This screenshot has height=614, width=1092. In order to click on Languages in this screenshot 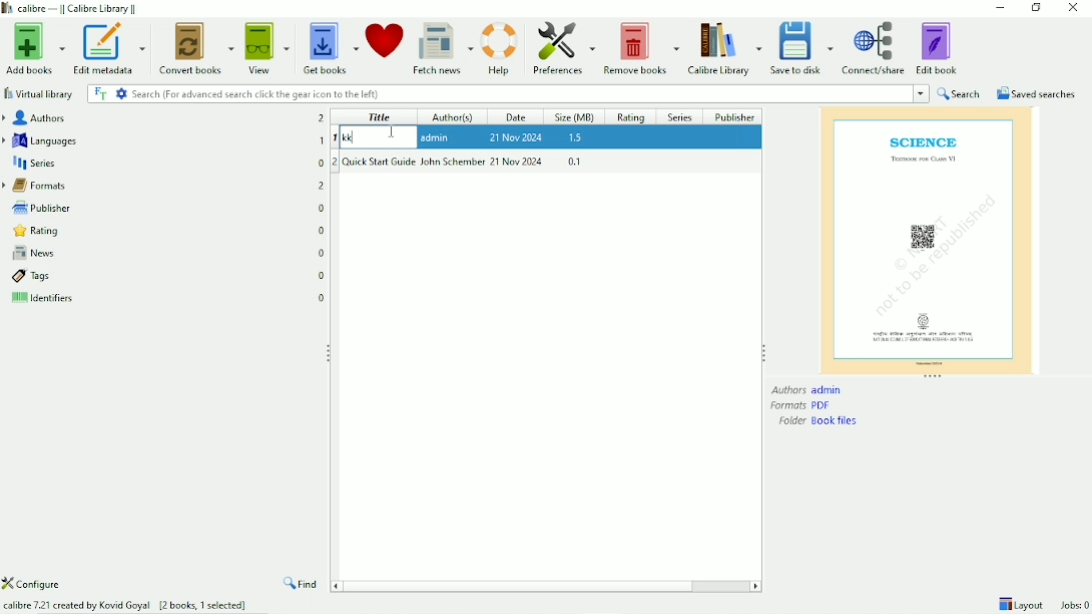, I will do `click(42, 140)`.